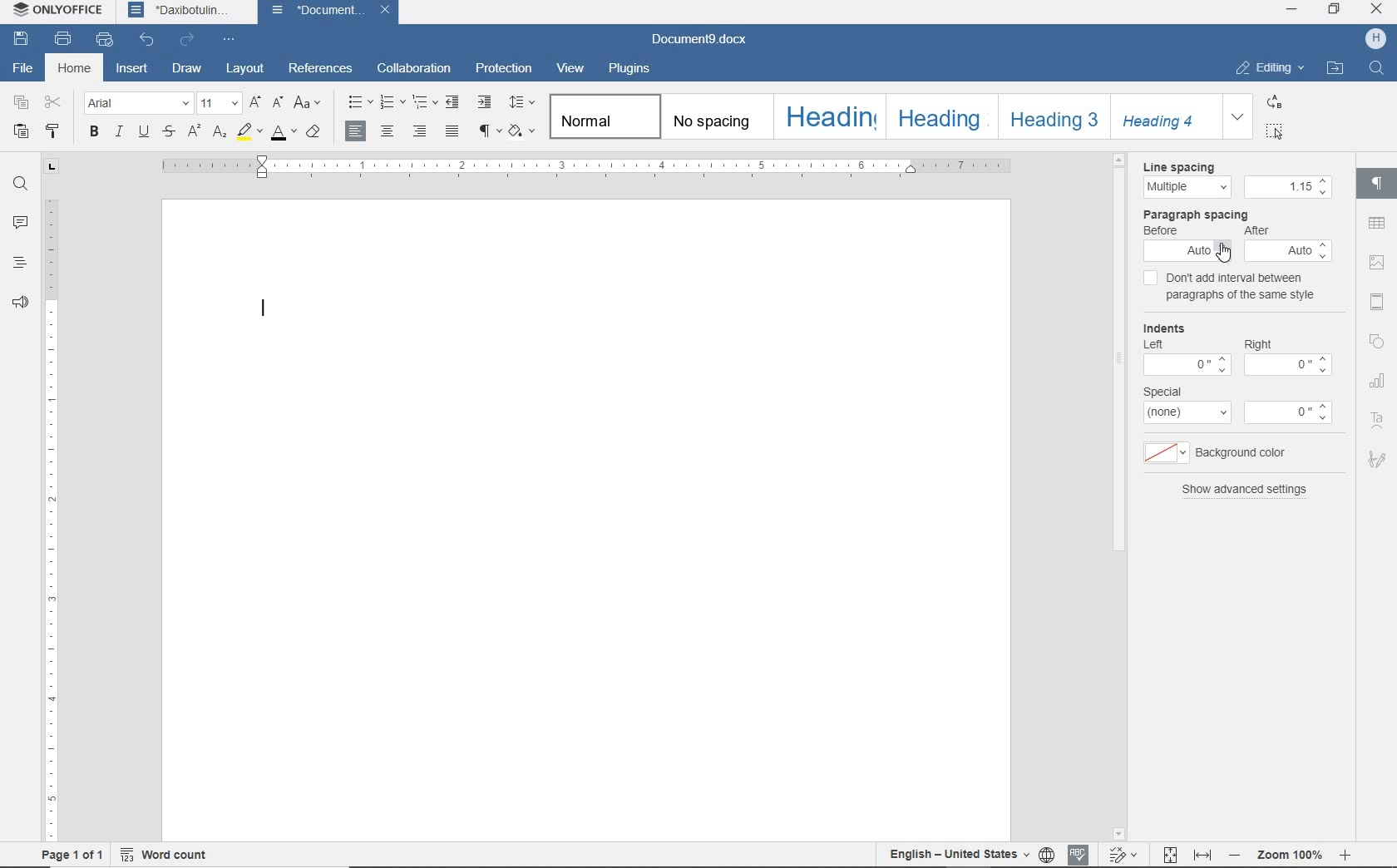  What do you see at coordinates (587, 166) in the screenshot?
I see `ruler` at bounding box center [587, 166].